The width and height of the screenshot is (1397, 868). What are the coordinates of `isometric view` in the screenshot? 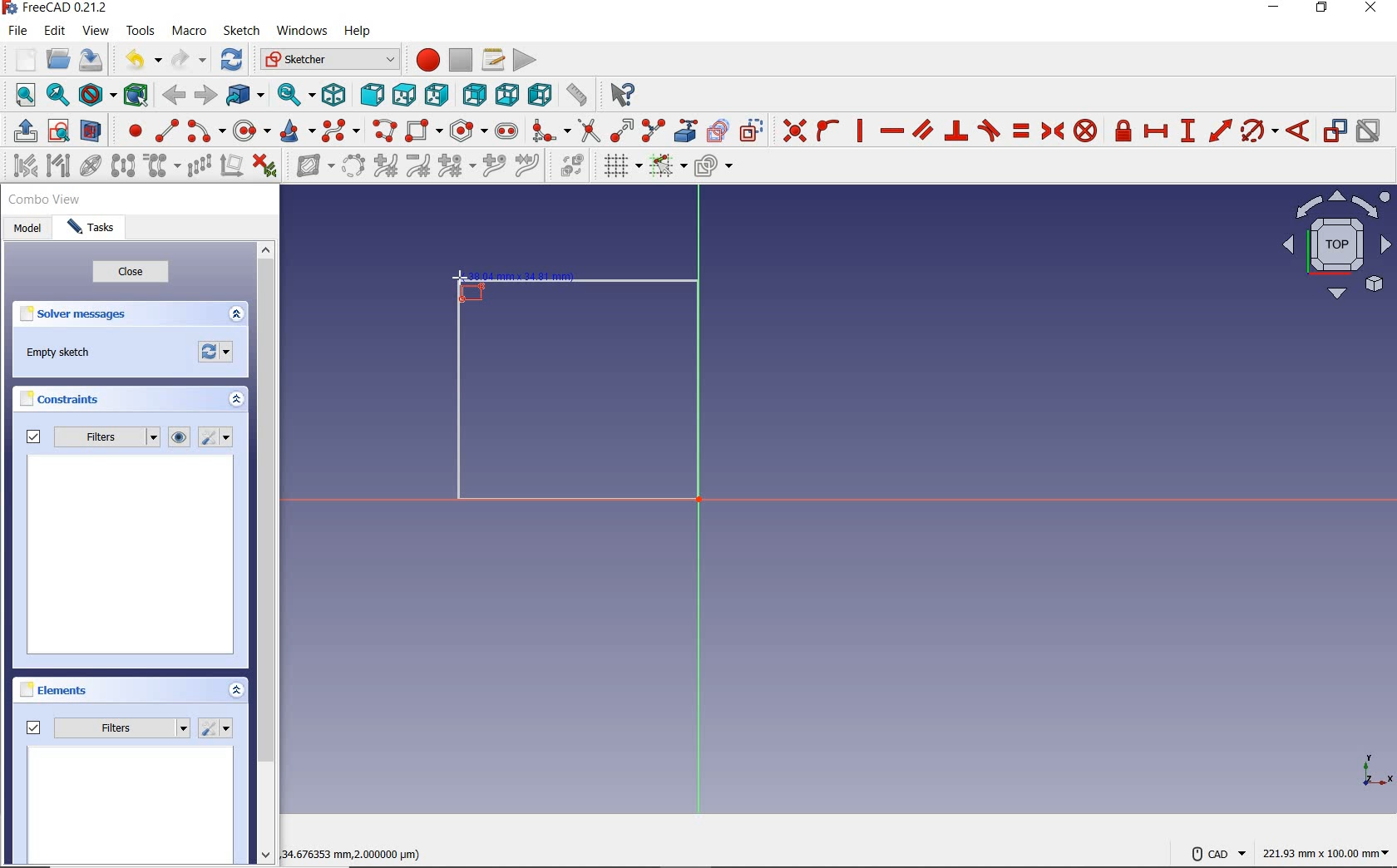 It's located at (1337, 248).